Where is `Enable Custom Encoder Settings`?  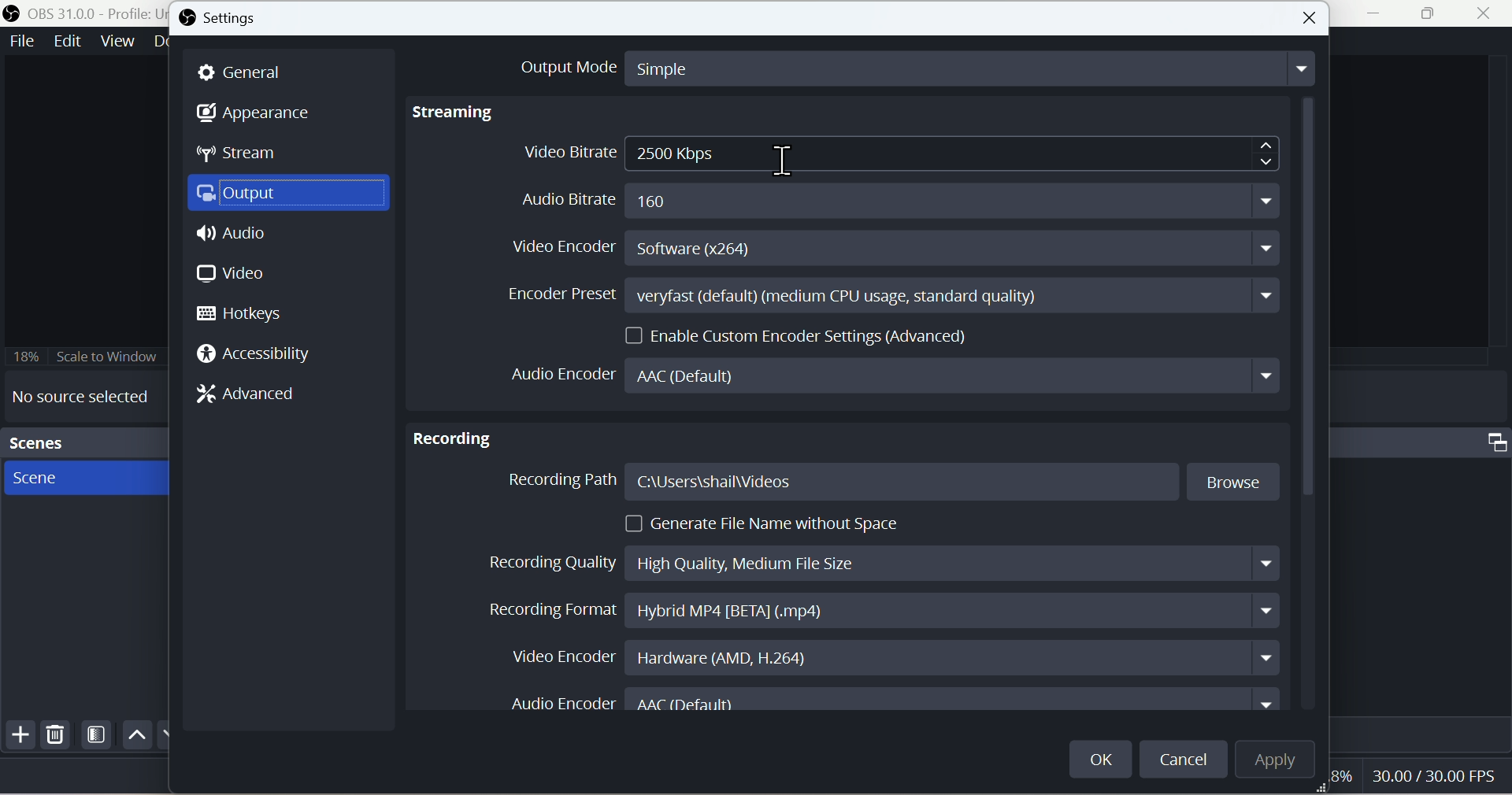 Enable Custom Encoder Settings is located at coordinates (802, 334).